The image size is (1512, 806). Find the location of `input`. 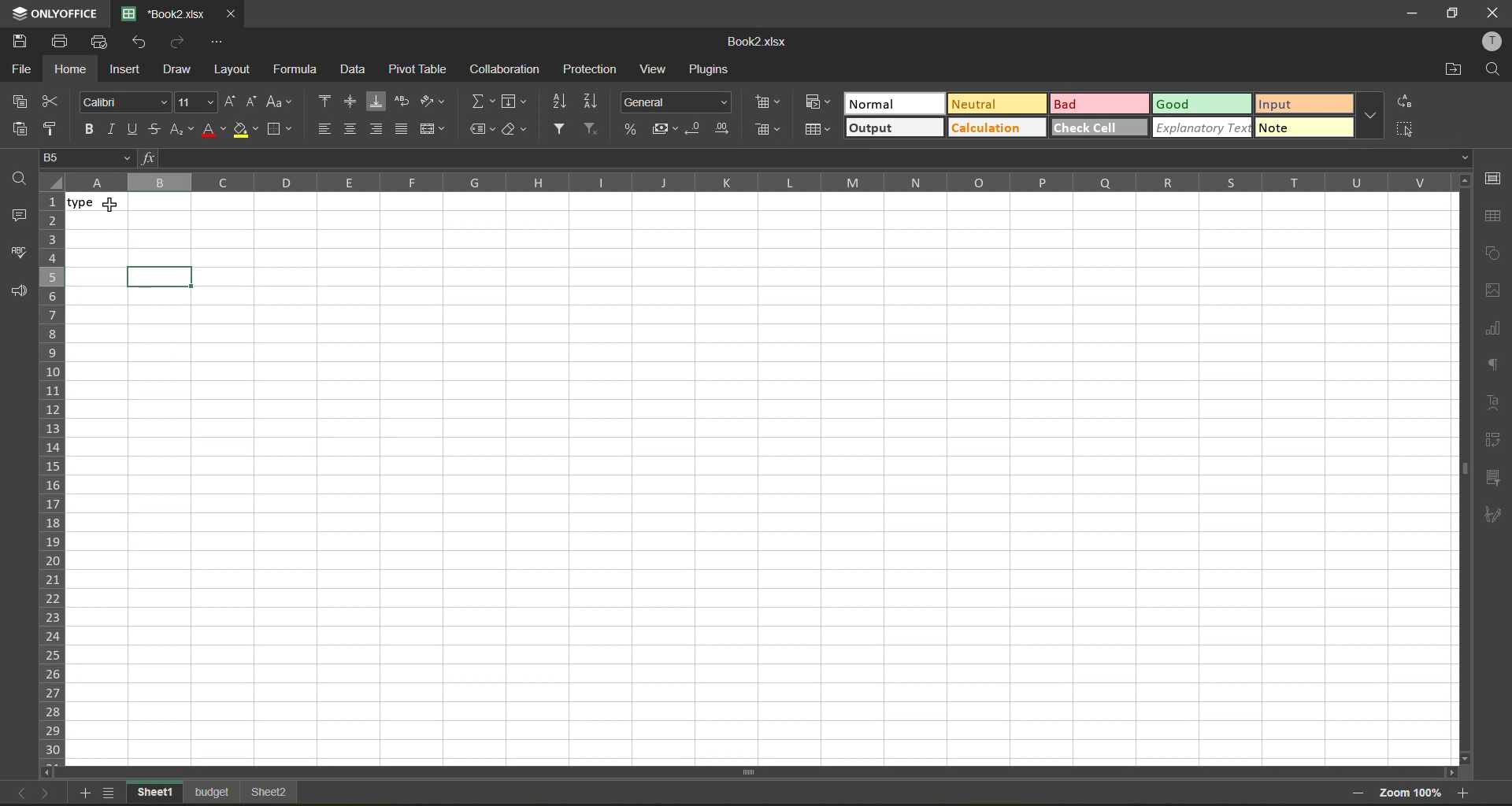

input is located at coordinates (1306, 105).